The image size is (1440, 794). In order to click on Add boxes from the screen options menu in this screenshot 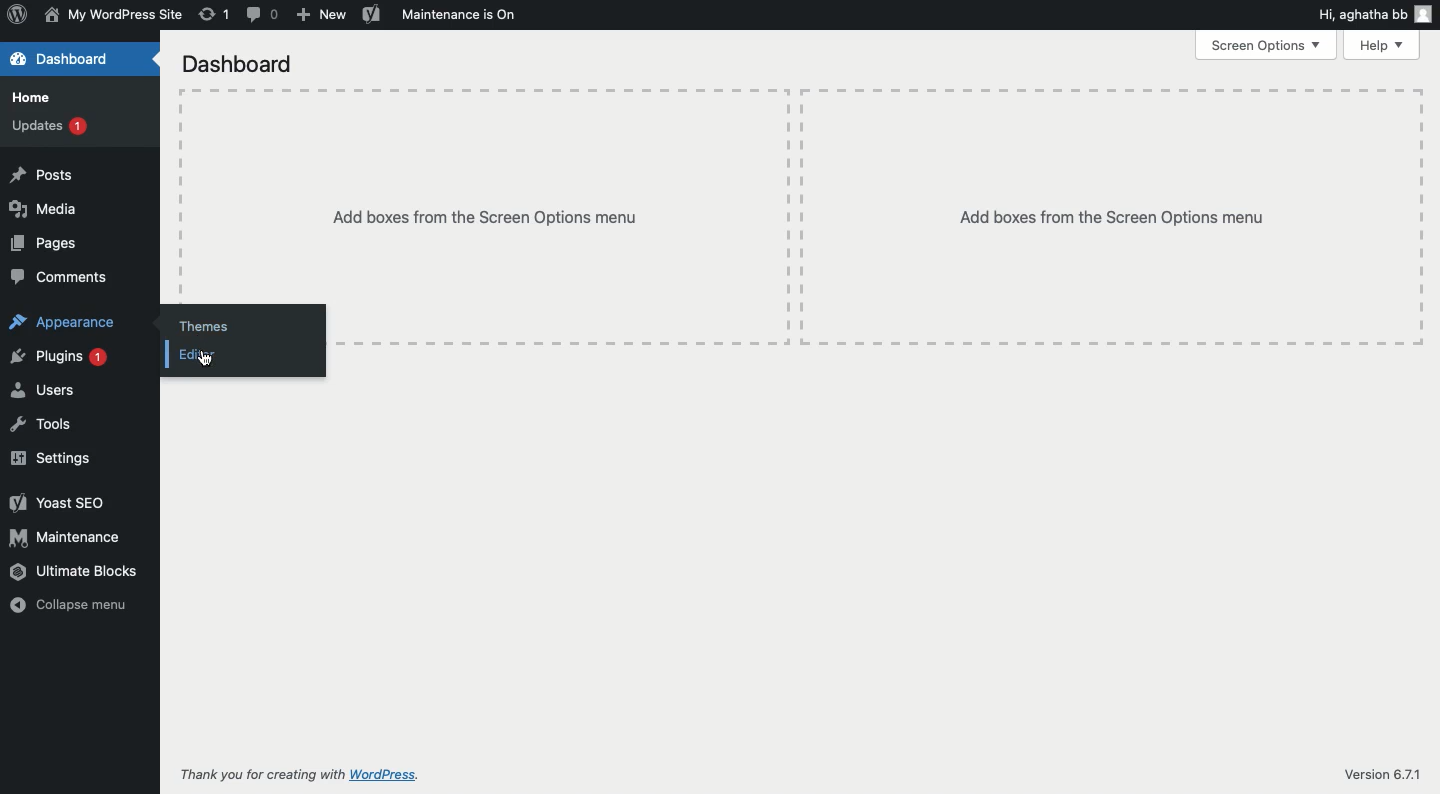, I will do `click(803, 194)`.